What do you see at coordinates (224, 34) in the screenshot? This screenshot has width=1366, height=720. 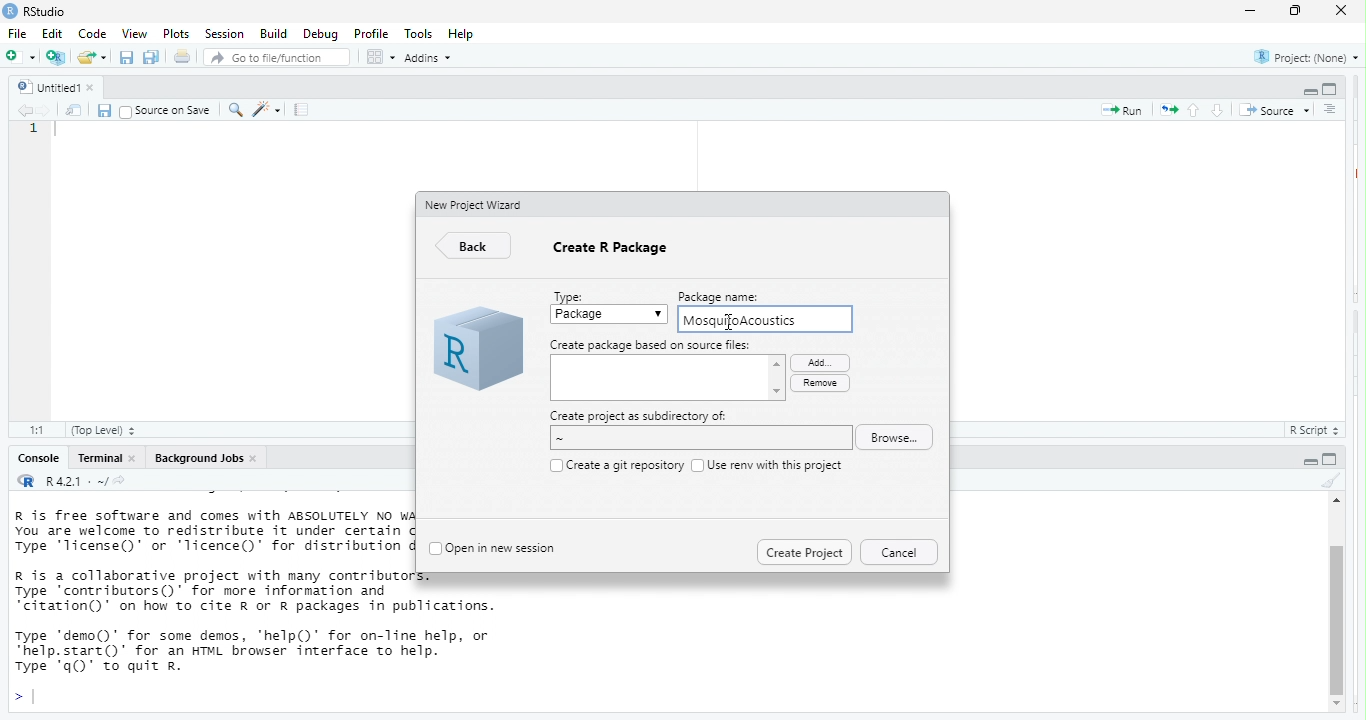 I see `Session` at bounding box center [224, 34].